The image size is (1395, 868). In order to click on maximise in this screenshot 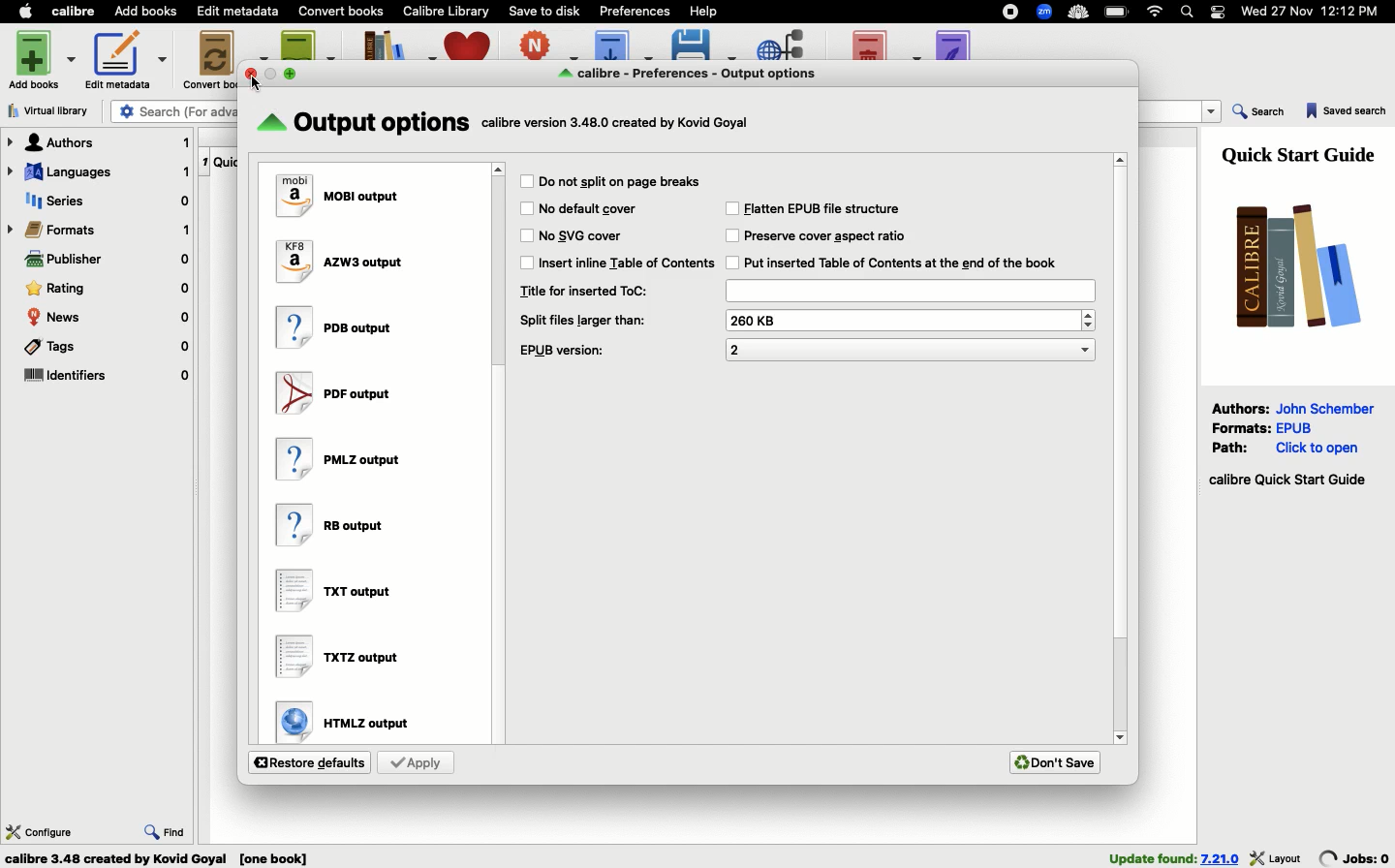, I will do `click(293, 73)`.